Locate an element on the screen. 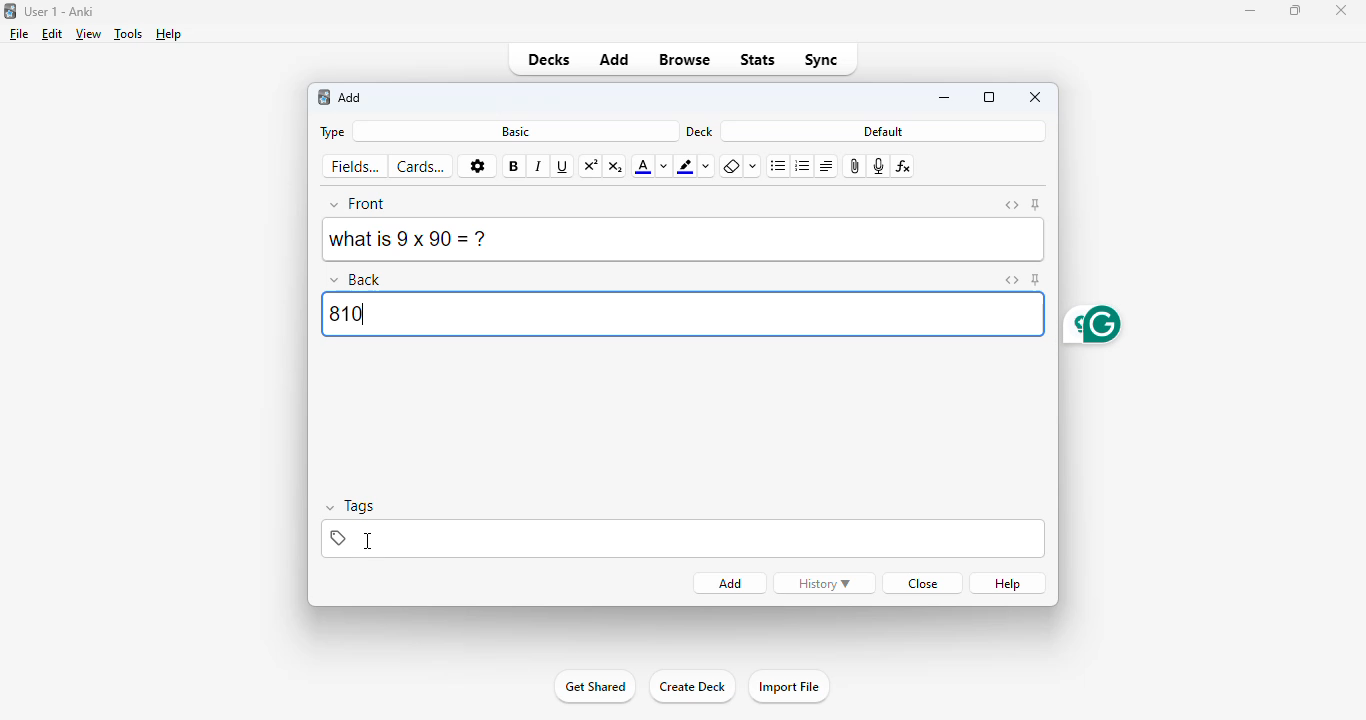  create deck is located at coordinates (692, 687).